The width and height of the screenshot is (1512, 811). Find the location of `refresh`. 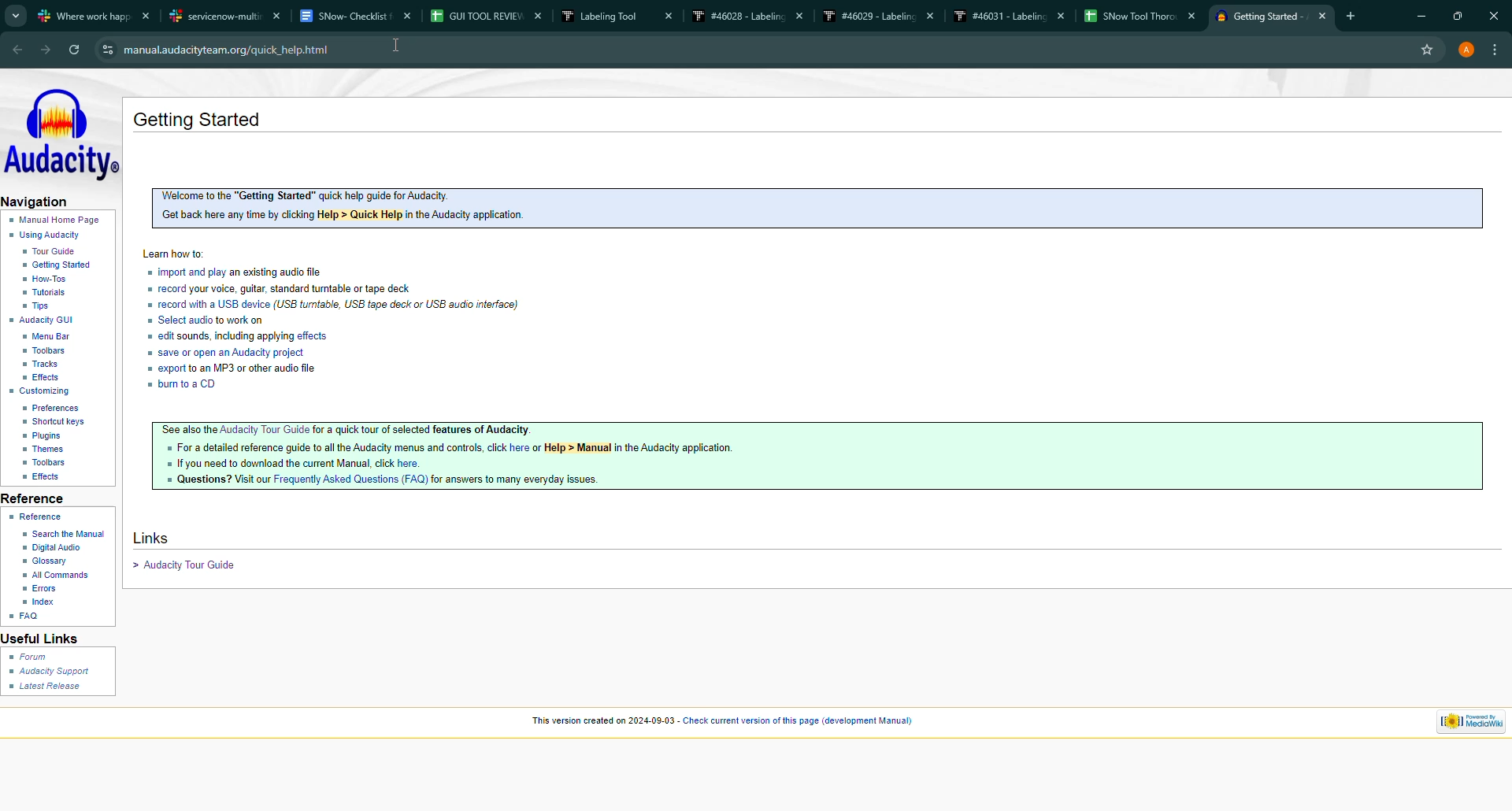

refresh is located at coordinates (78, 50).